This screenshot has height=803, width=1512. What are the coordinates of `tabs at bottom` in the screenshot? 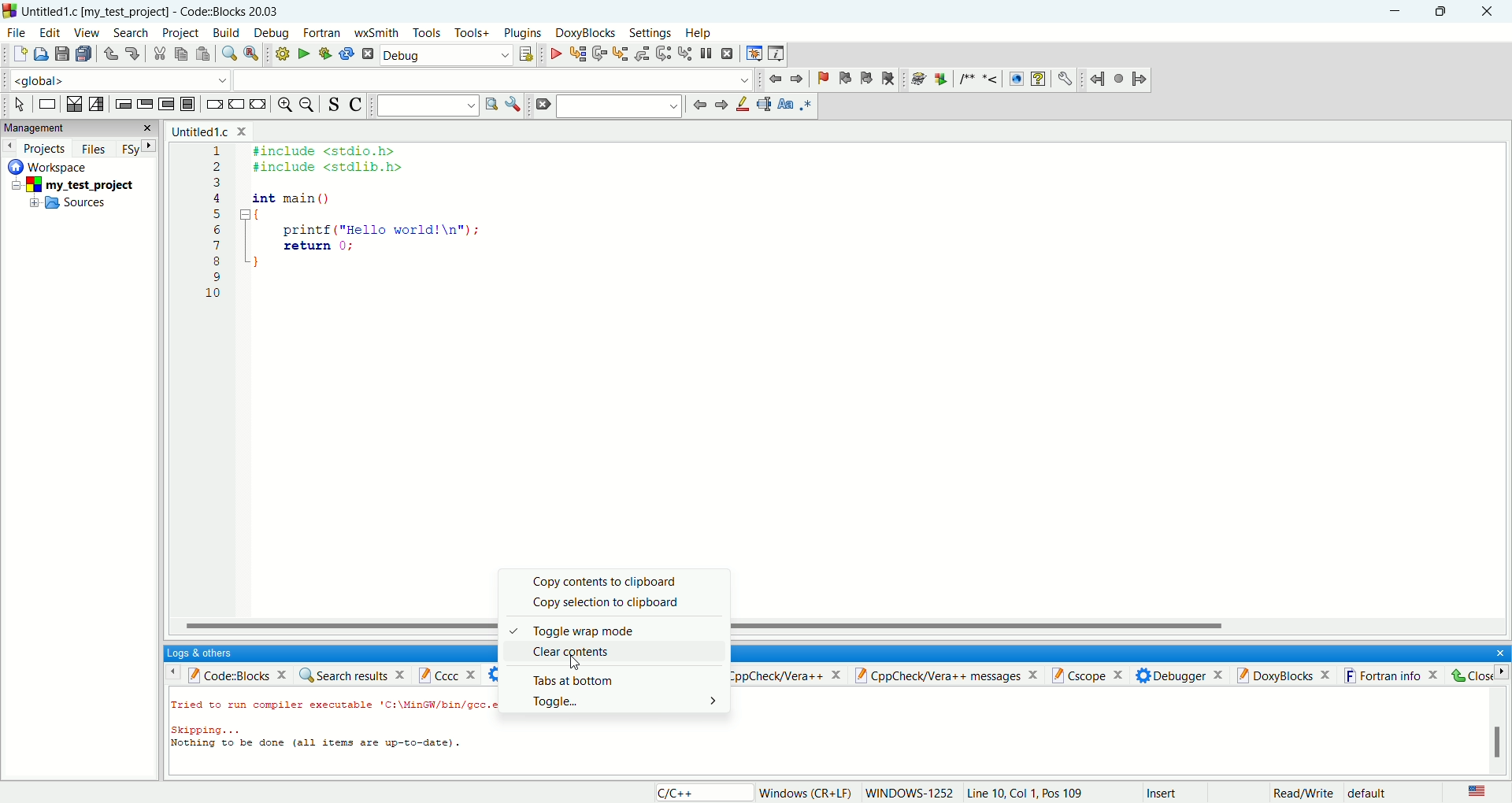 It's located at (608, 679).